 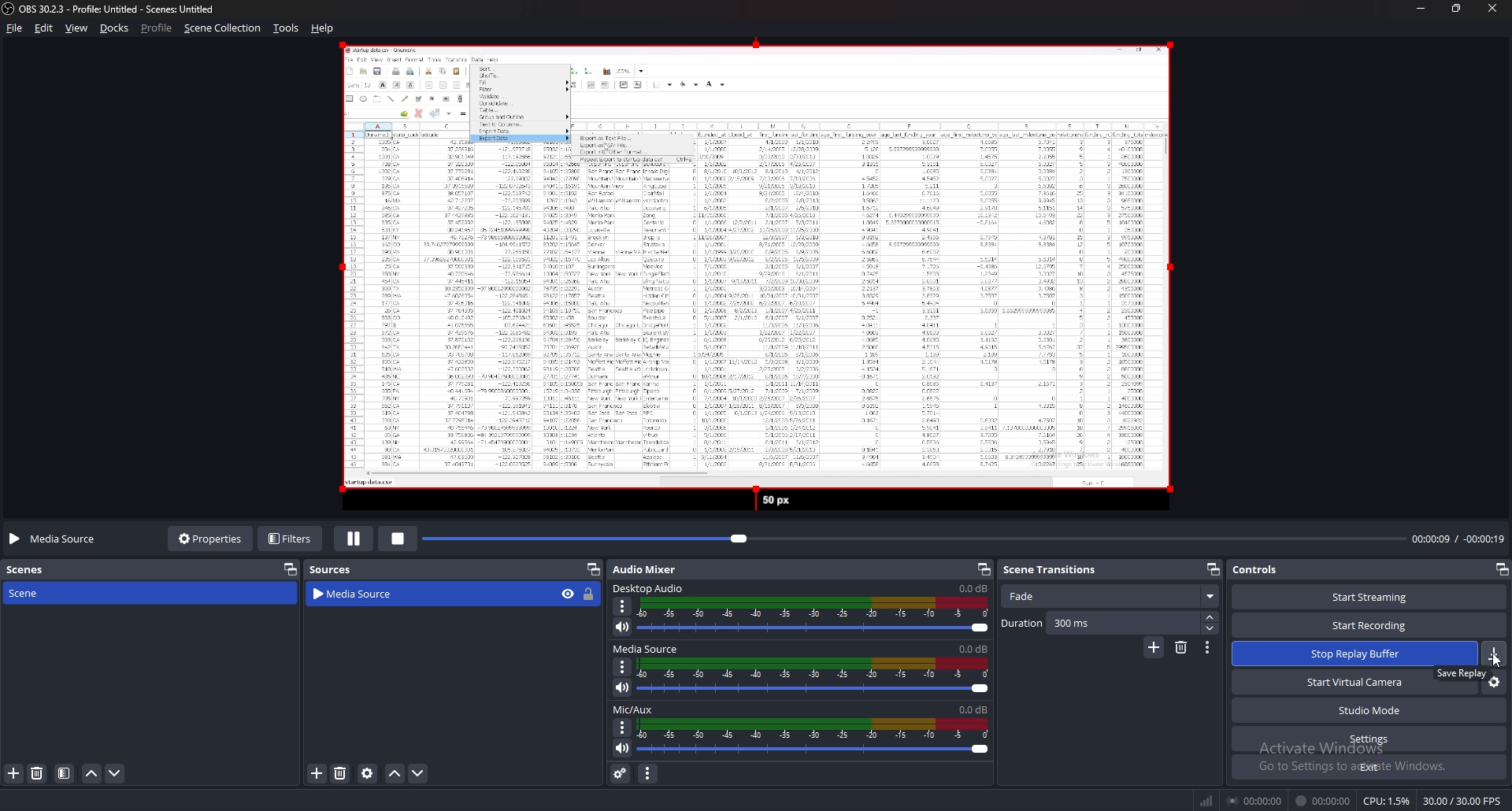 What do you see at coordinates (1324, 801) in the screenshot?
I see `00:00:00` at bounding box center [1324, 801].